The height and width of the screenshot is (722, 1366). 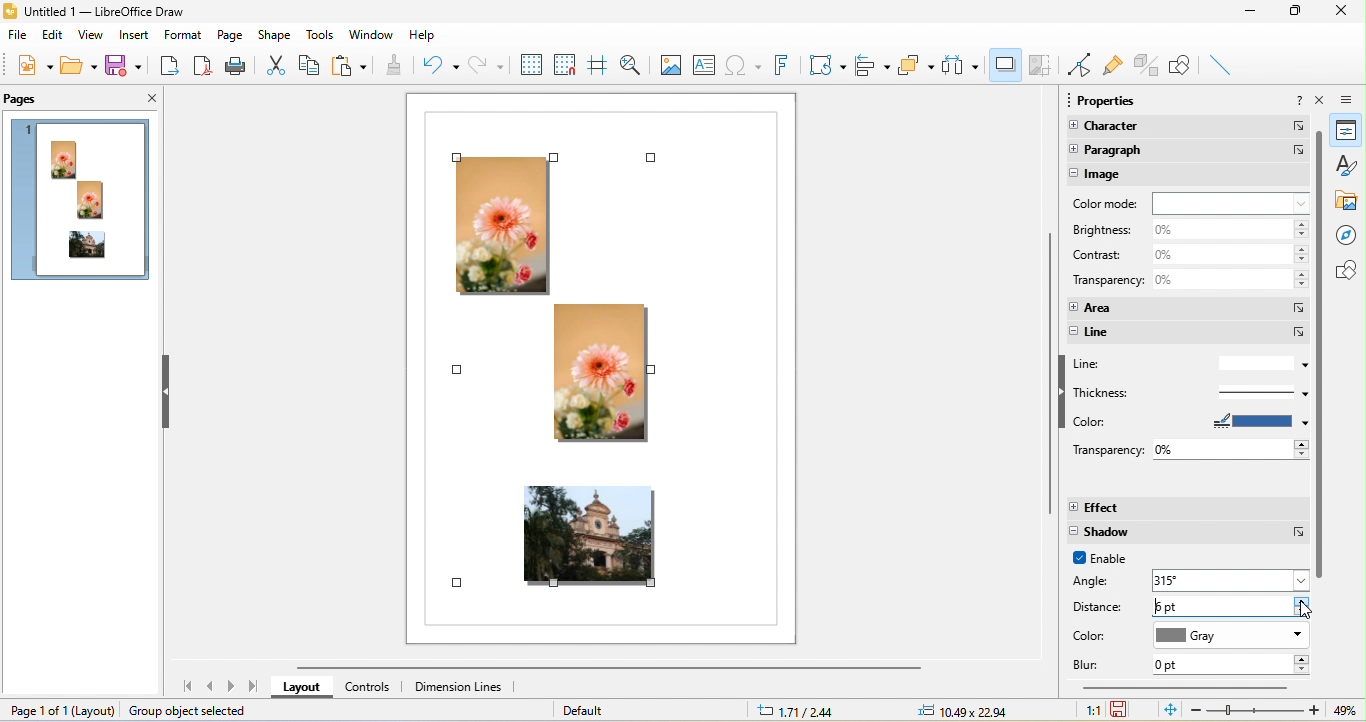 I want to click on image, so click(x=1190, y=175).